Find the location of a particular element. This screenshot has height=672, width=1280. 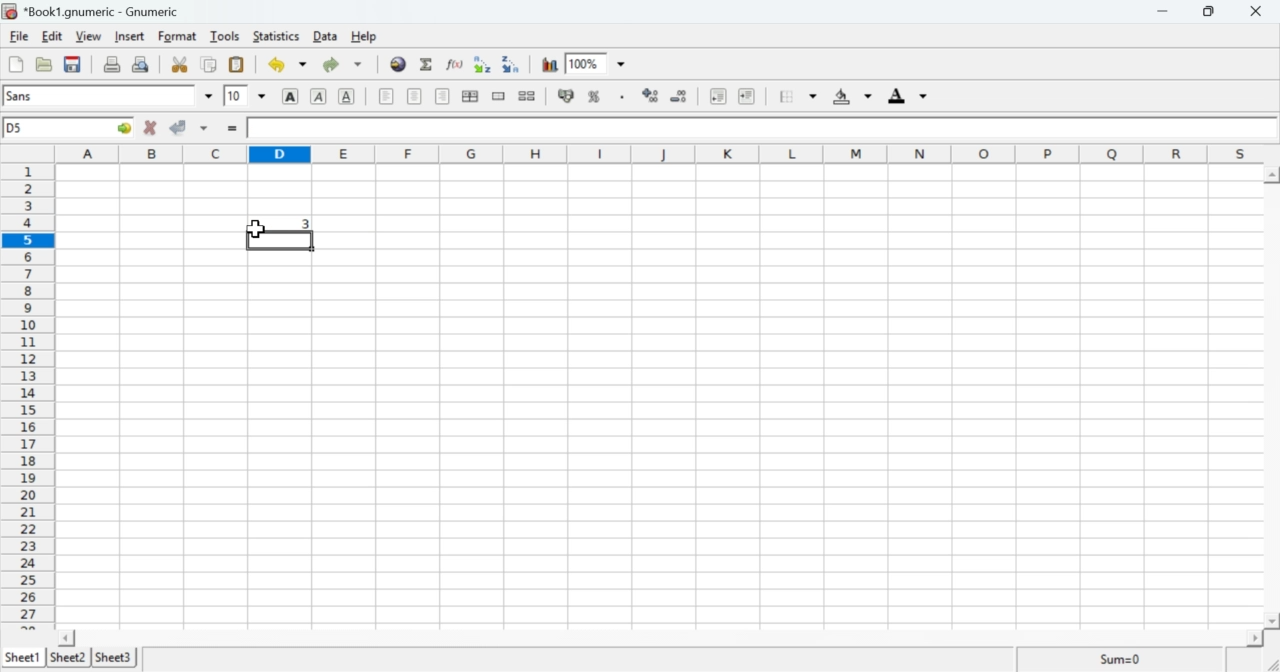

Minimize is located at coordinates (1167, 12).